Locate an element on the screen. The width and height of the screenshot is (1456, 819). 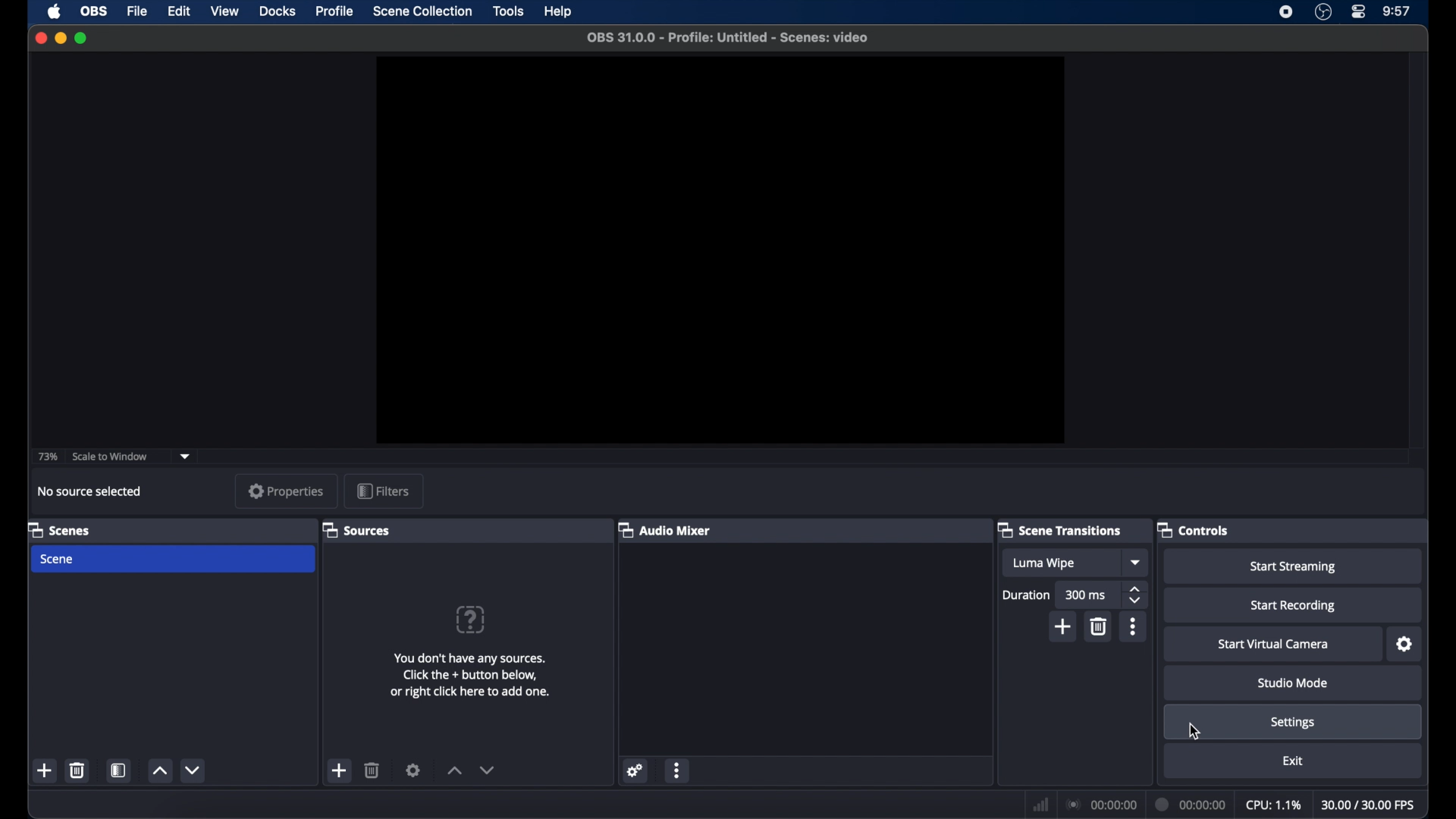
stepper buttons is located at coordinates (1136, 596).